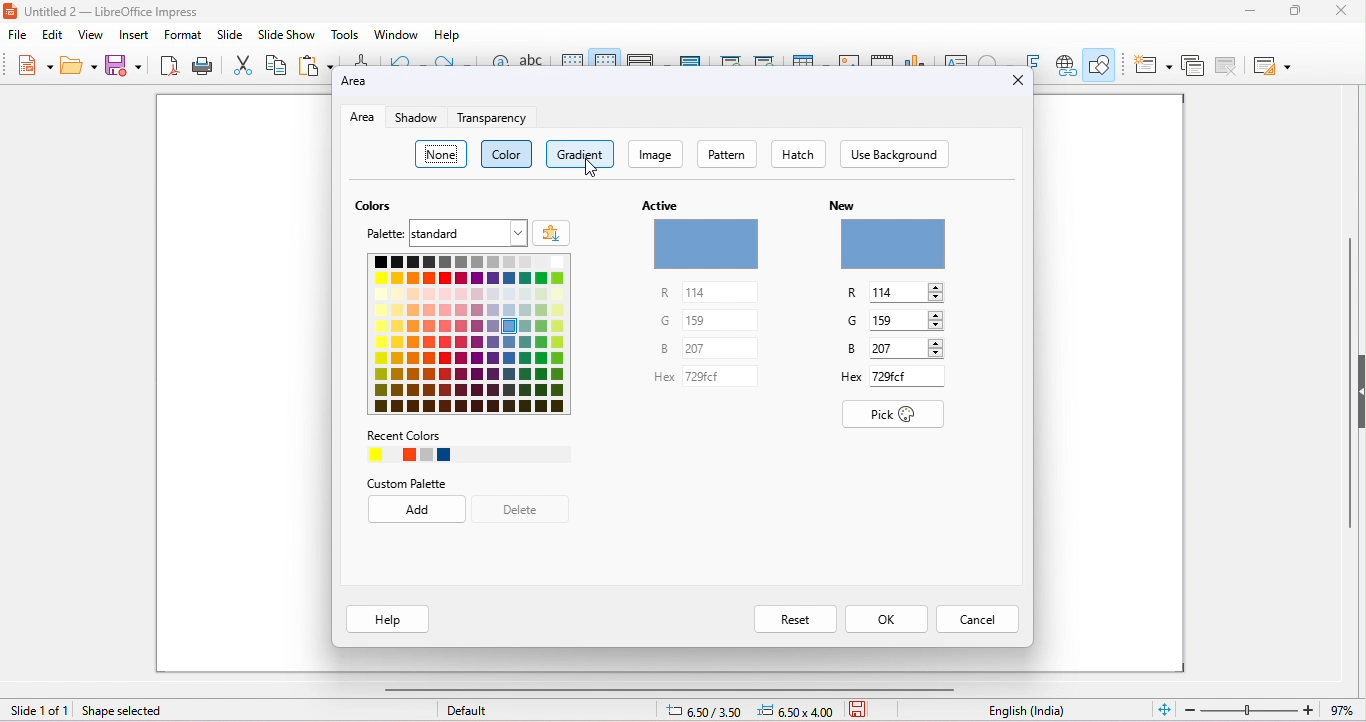 The width and height of the screenshot is (1366, 722). What do you see at coordinates (908, 321) in the screenshot?
I see `159` at bounding box center [908, 321].